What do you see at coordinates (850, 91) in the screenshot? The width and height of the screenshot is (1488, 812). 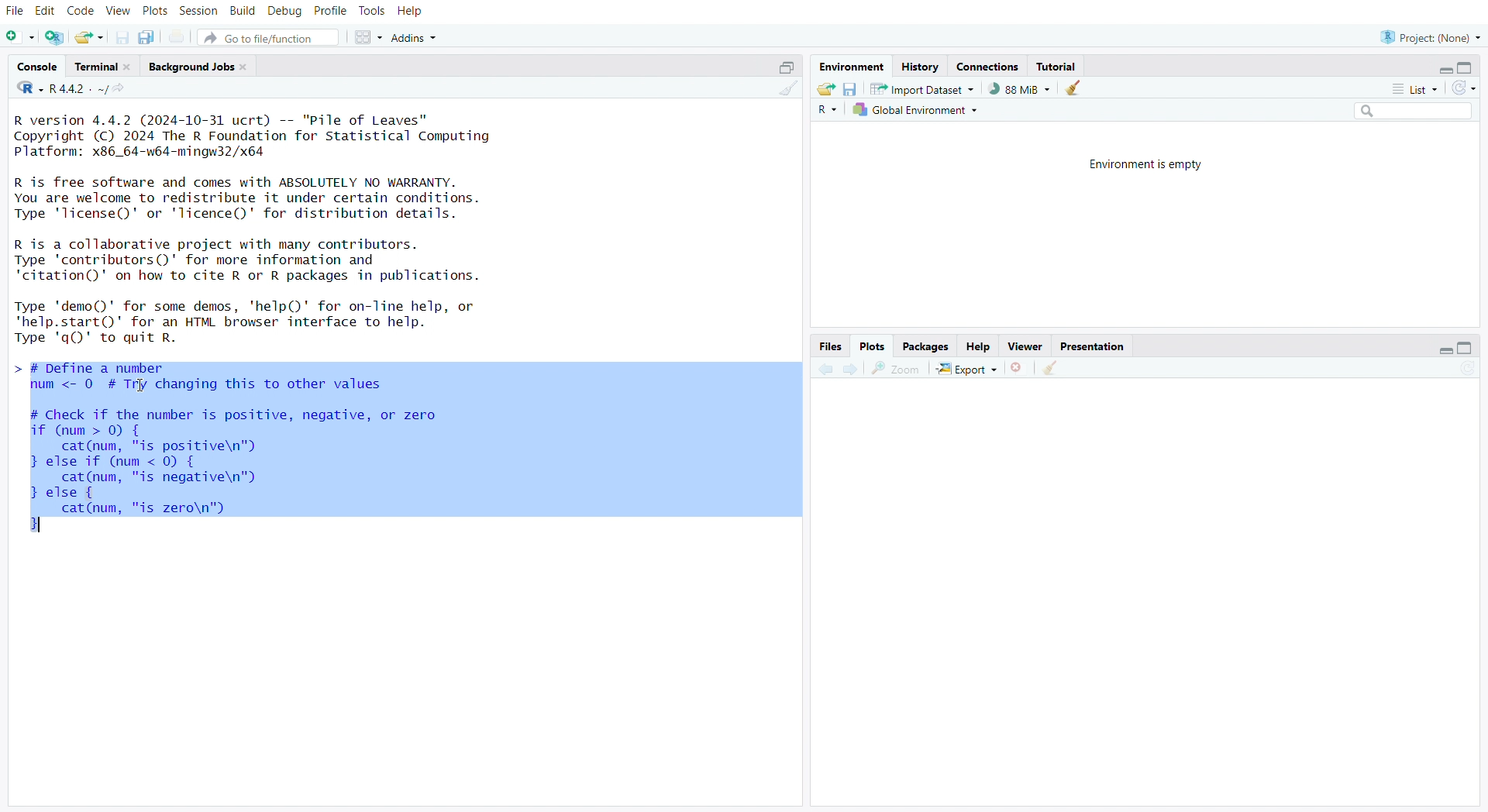 I see `save workspace` at bounding box center [850, 91].